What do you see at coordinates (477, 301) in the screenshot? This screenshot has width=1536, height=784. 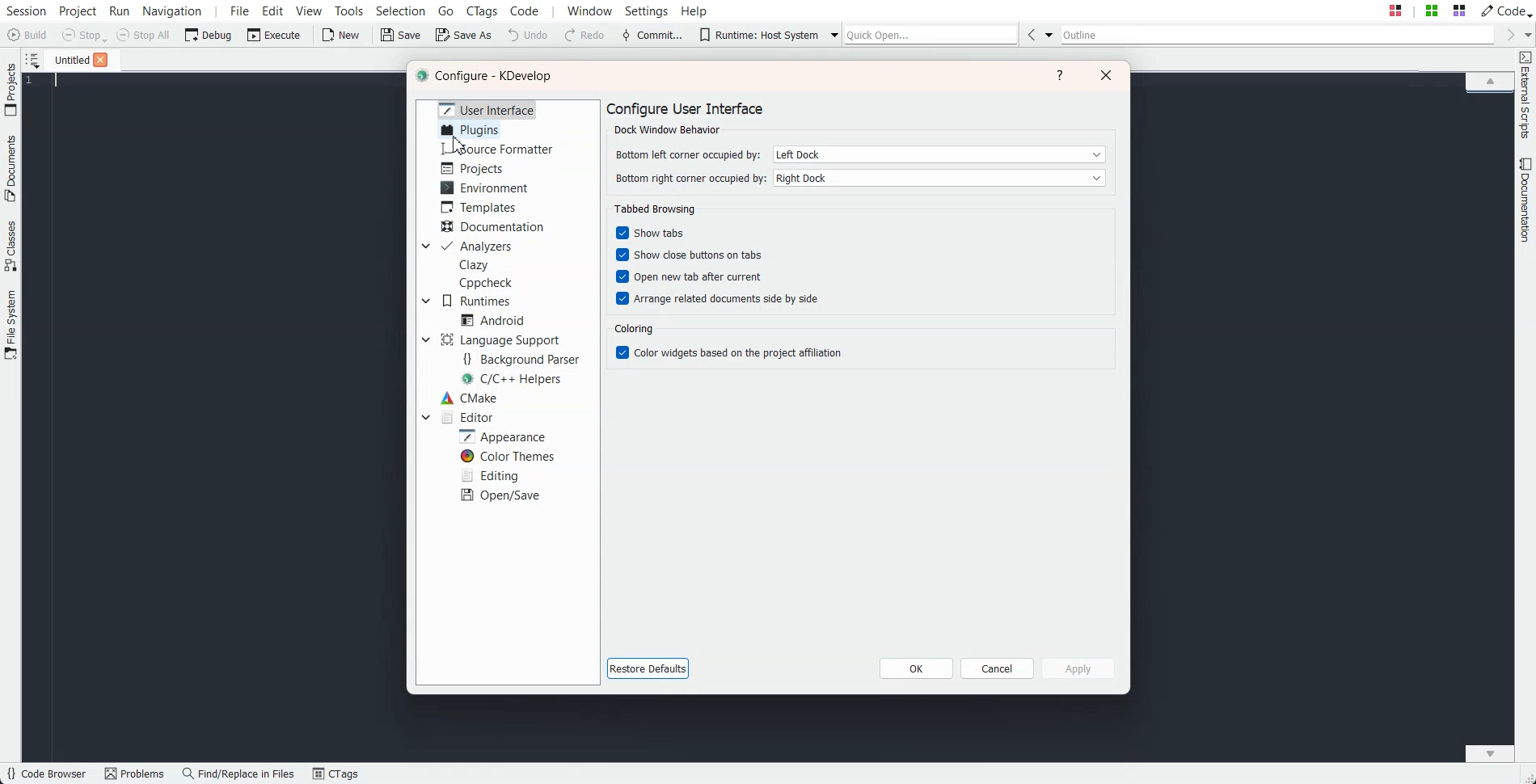 I see `Runtimes` at bounding box center [477, 301].